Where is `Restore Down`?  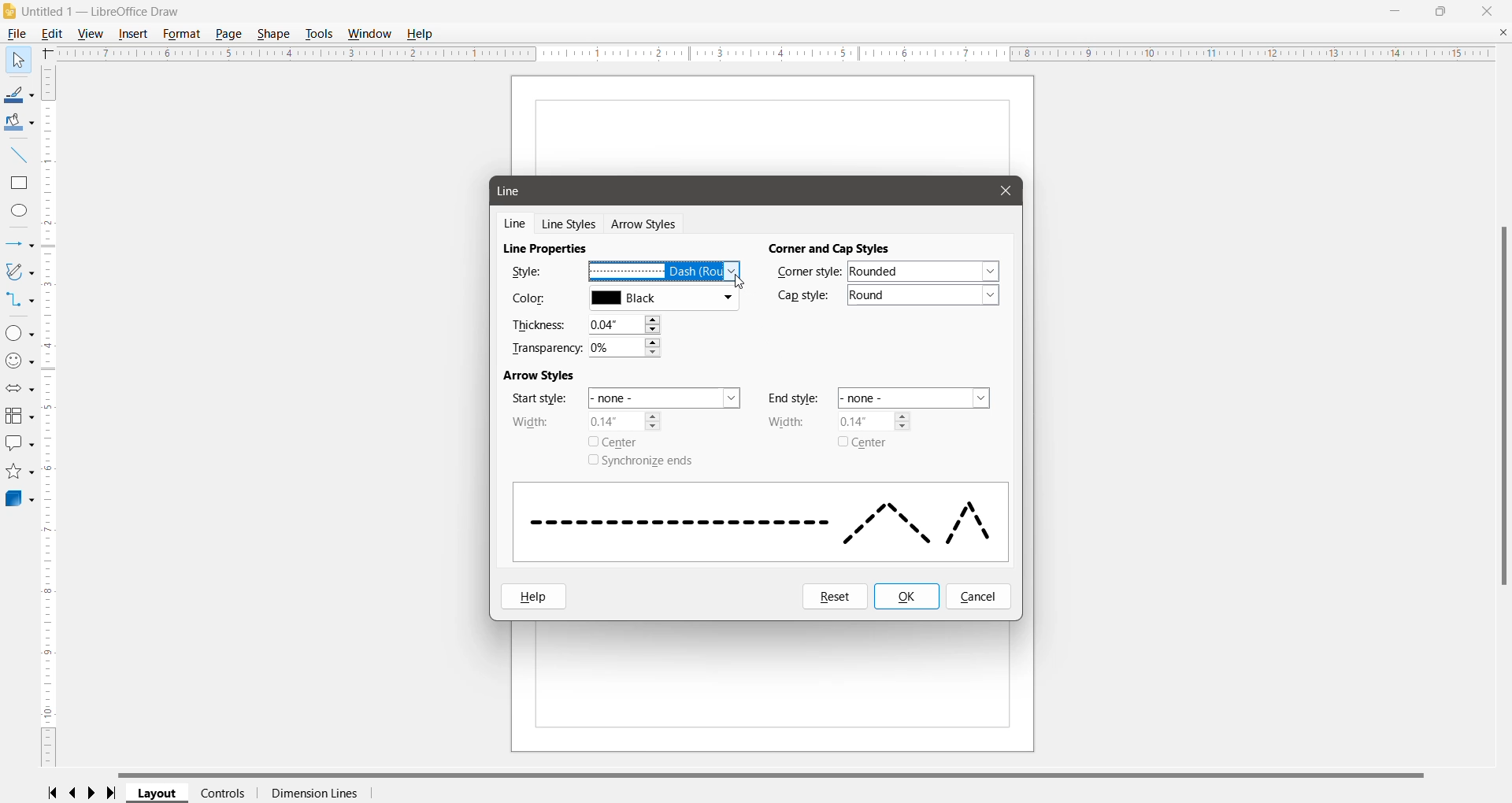 Restore Down is located at coordinates (1442, 12).